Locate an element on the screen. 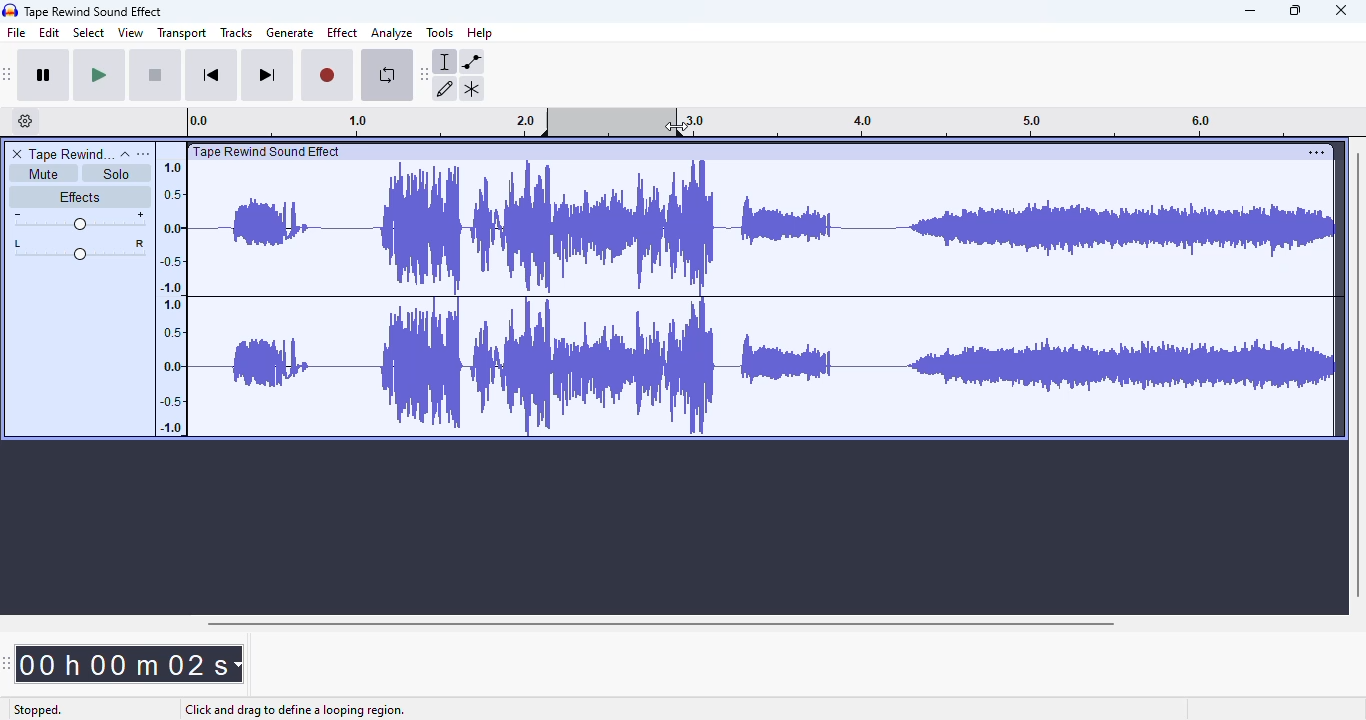  mute is located at coordinates (39, 173).